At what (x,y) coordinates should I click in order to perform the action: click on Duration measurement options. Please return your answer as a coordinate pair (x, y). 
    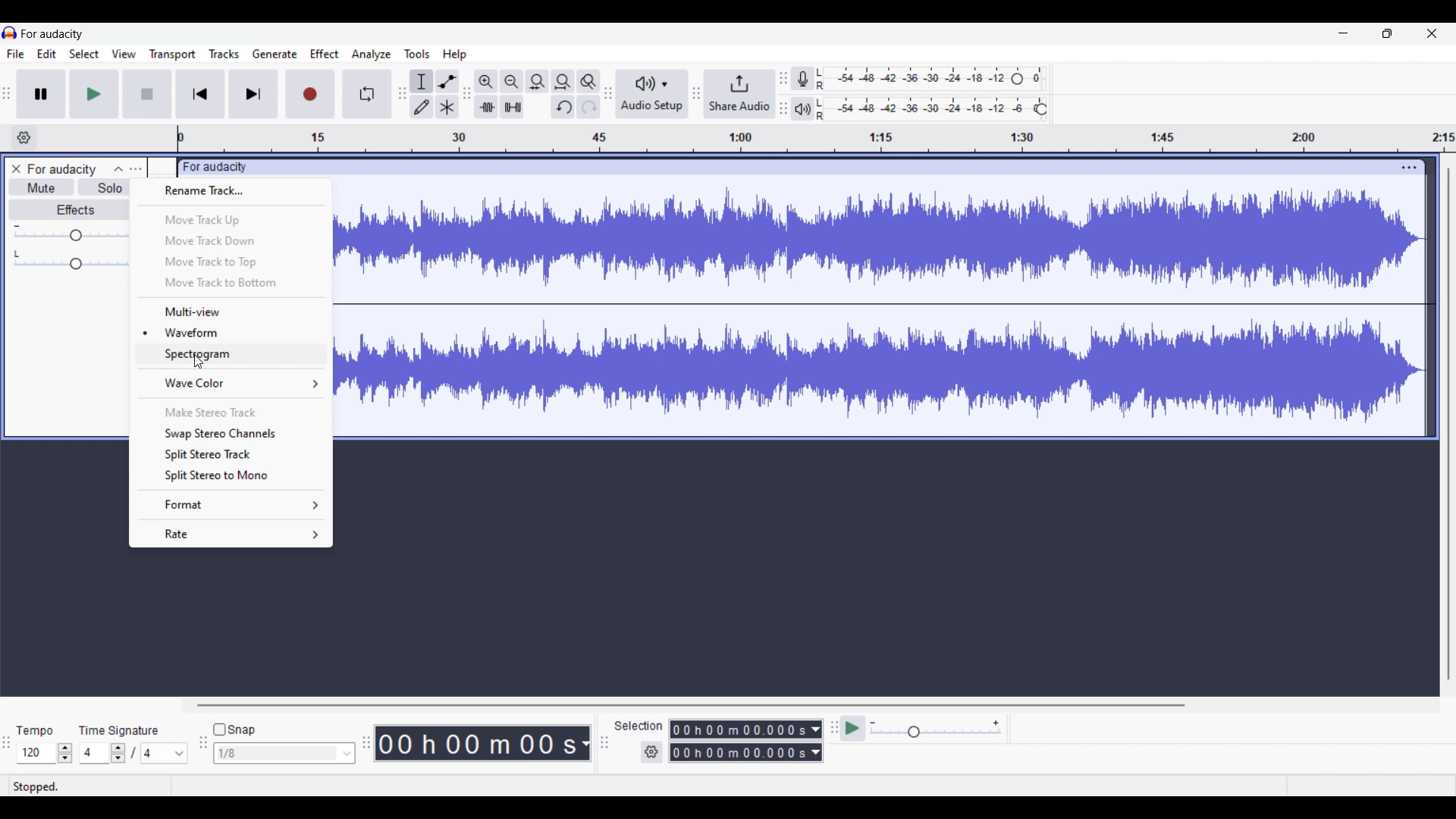
    Looking at the image, I should click on (585, 743).